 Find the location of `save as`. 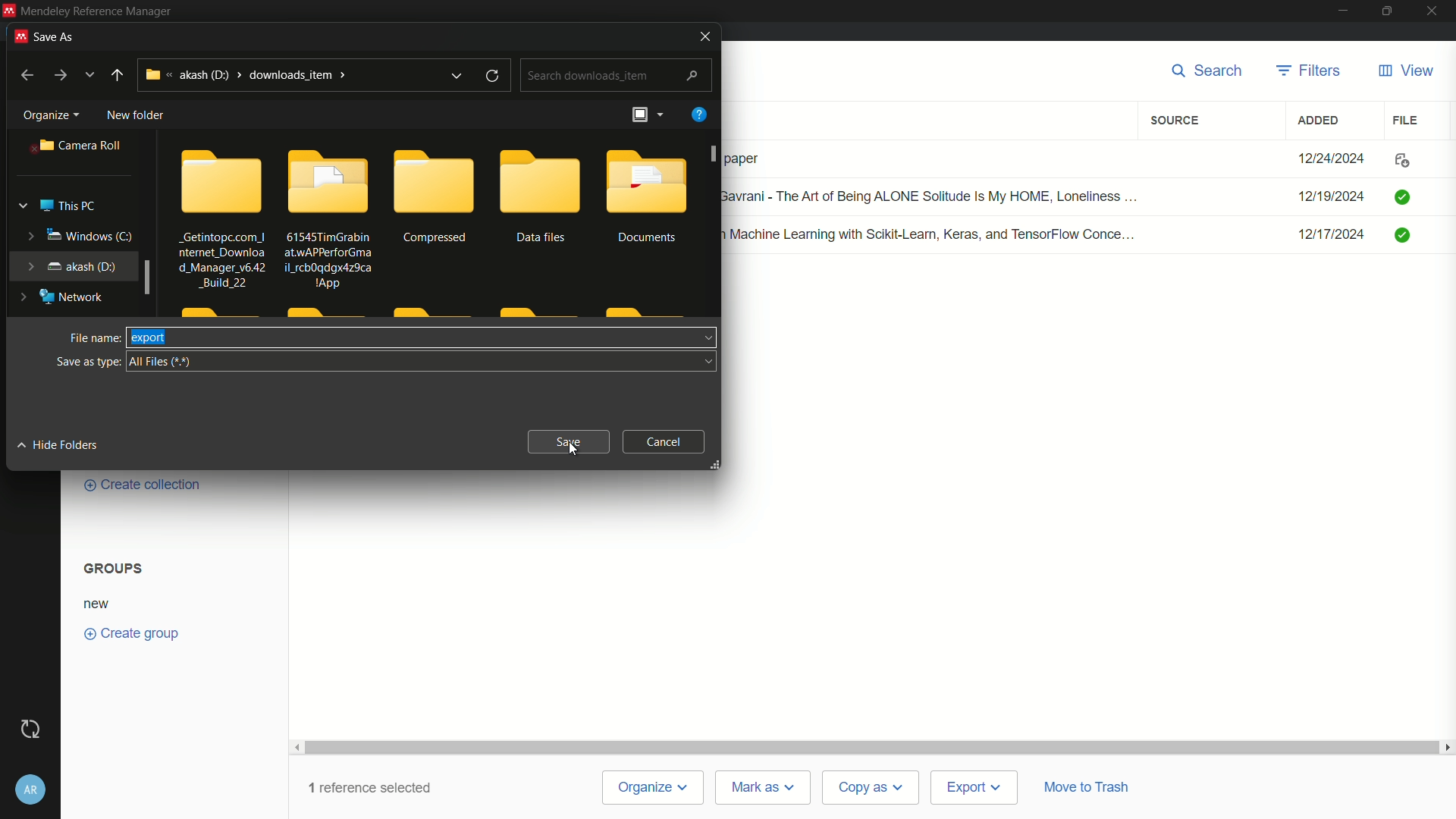

save as is located at coordinates (58, 38).